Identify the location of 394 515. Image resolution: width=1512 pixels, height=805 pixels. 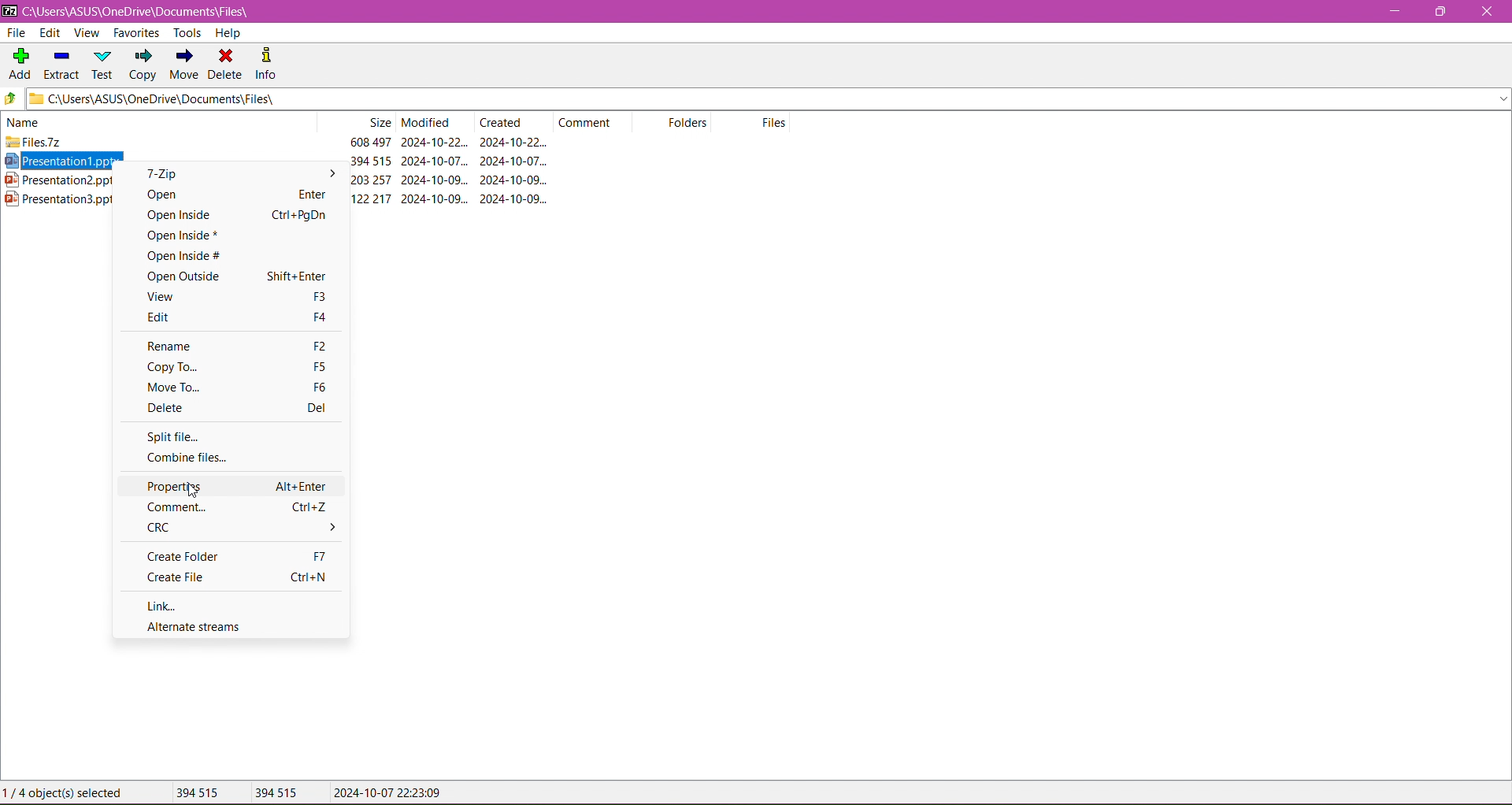
(371, 161).